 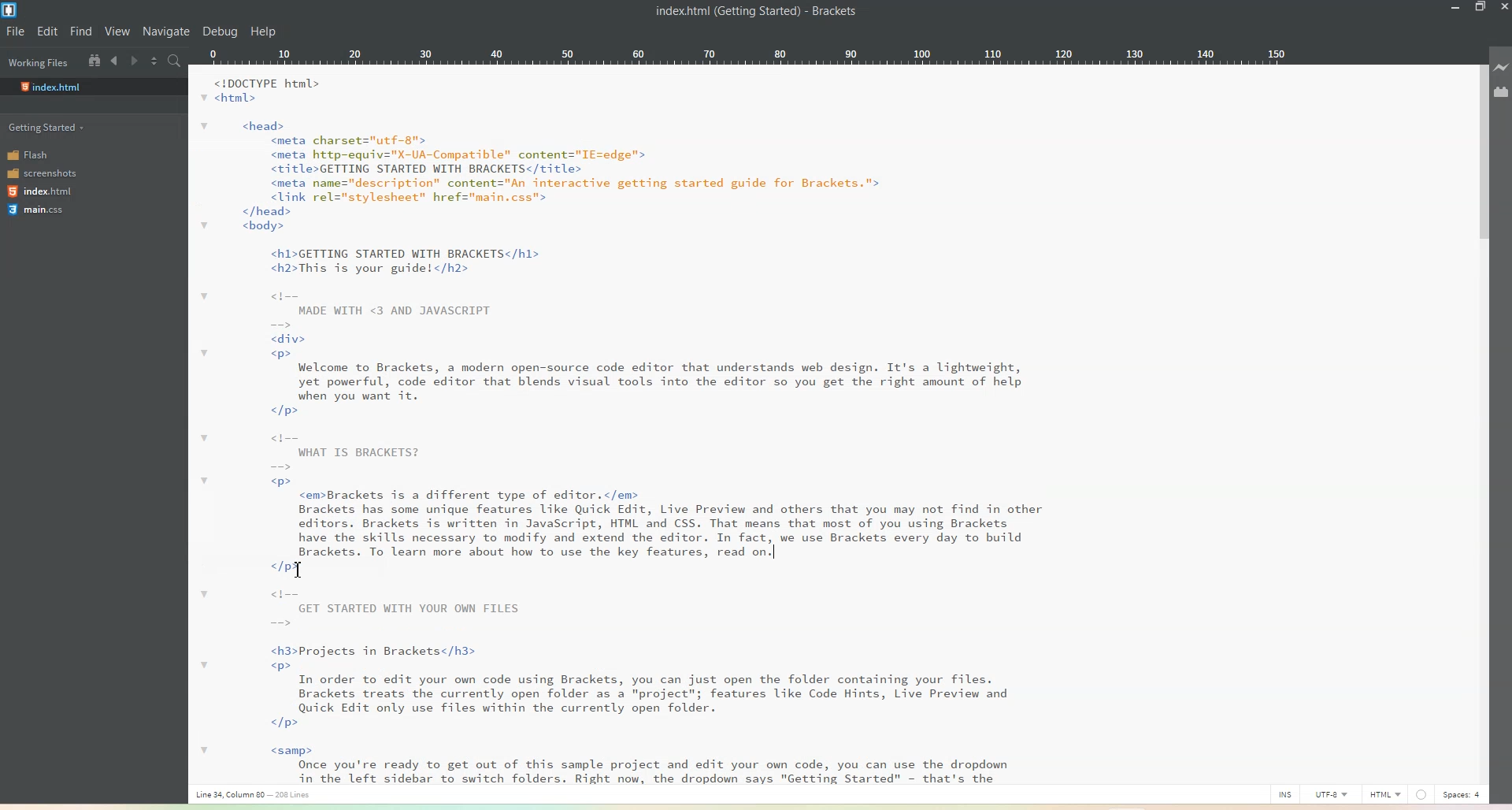 I want to click on Minimize, so click(x=1454, y=8).